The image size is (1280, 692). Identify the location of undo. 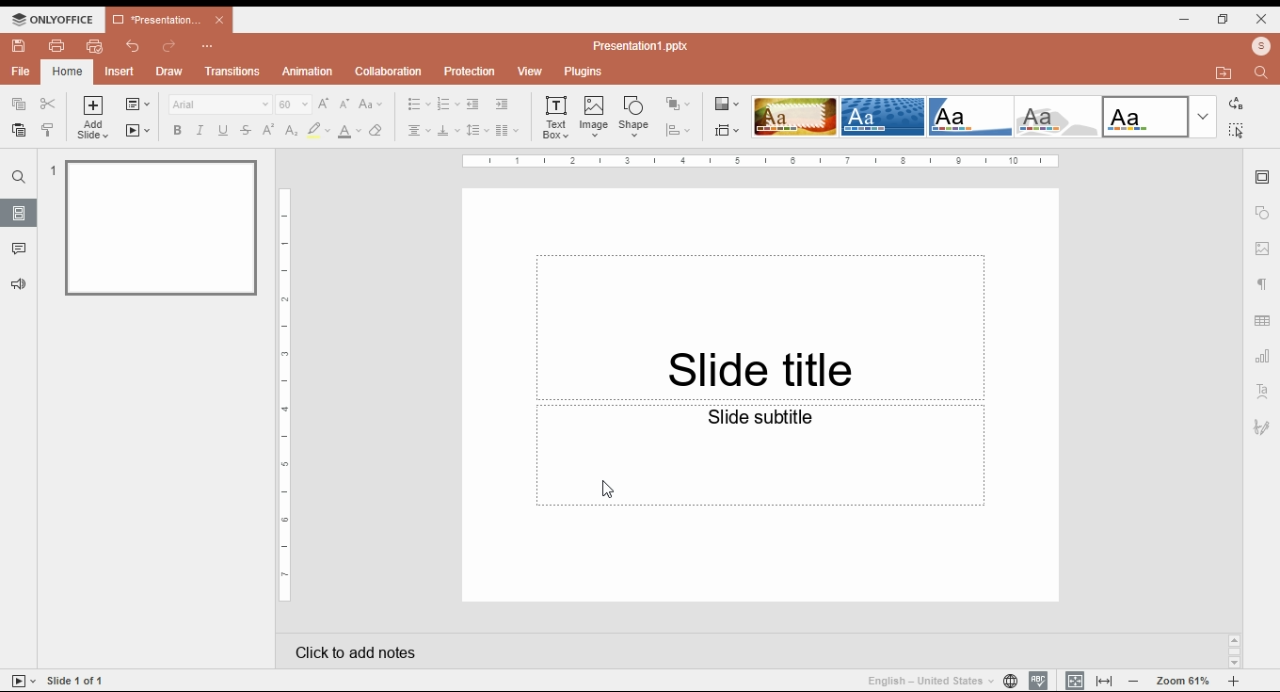
(134, 46).